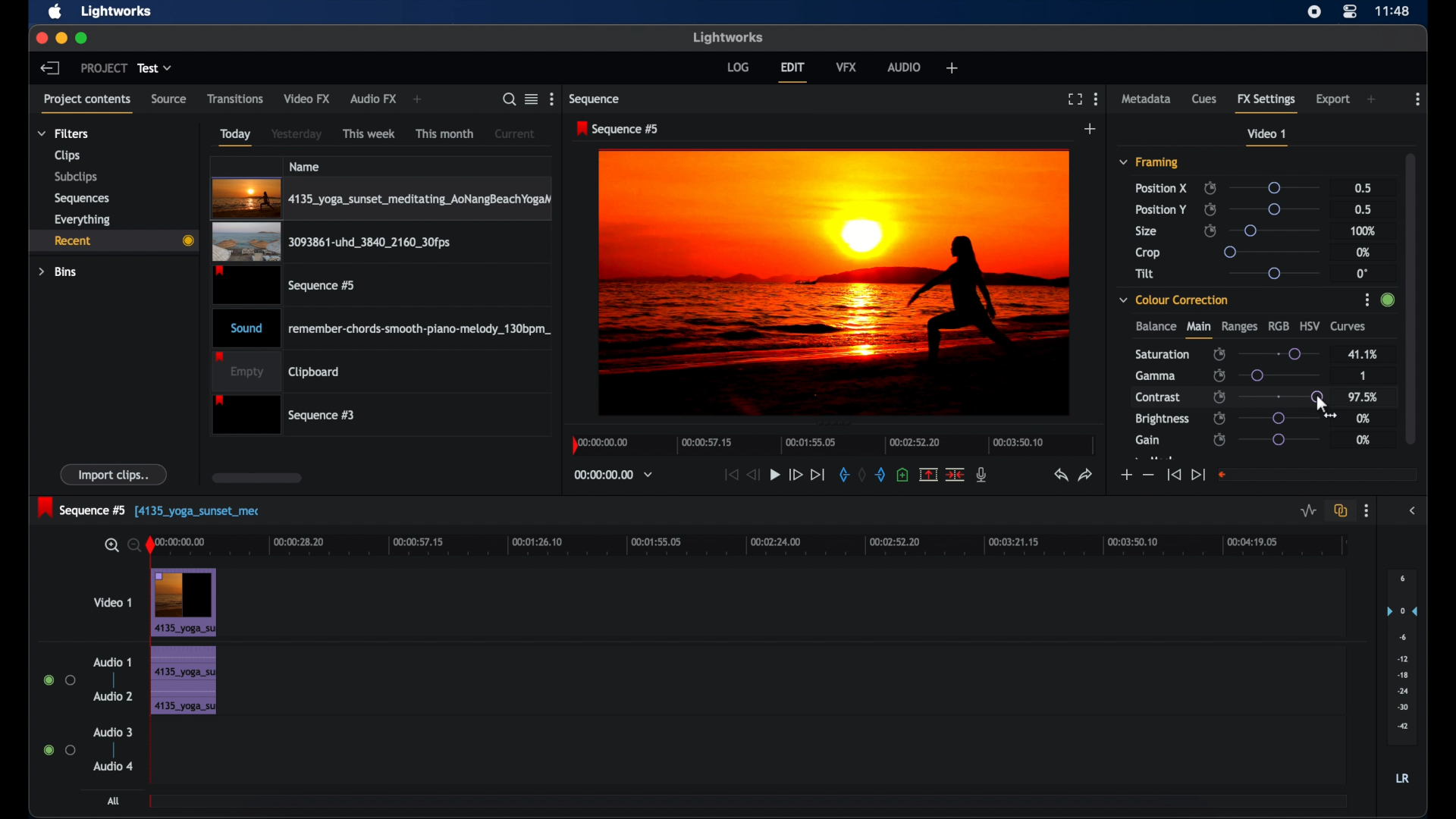  What do you see at coordinates (120, 544) in the screenshot?
I see `zoom` at bounding box center [120, 544].